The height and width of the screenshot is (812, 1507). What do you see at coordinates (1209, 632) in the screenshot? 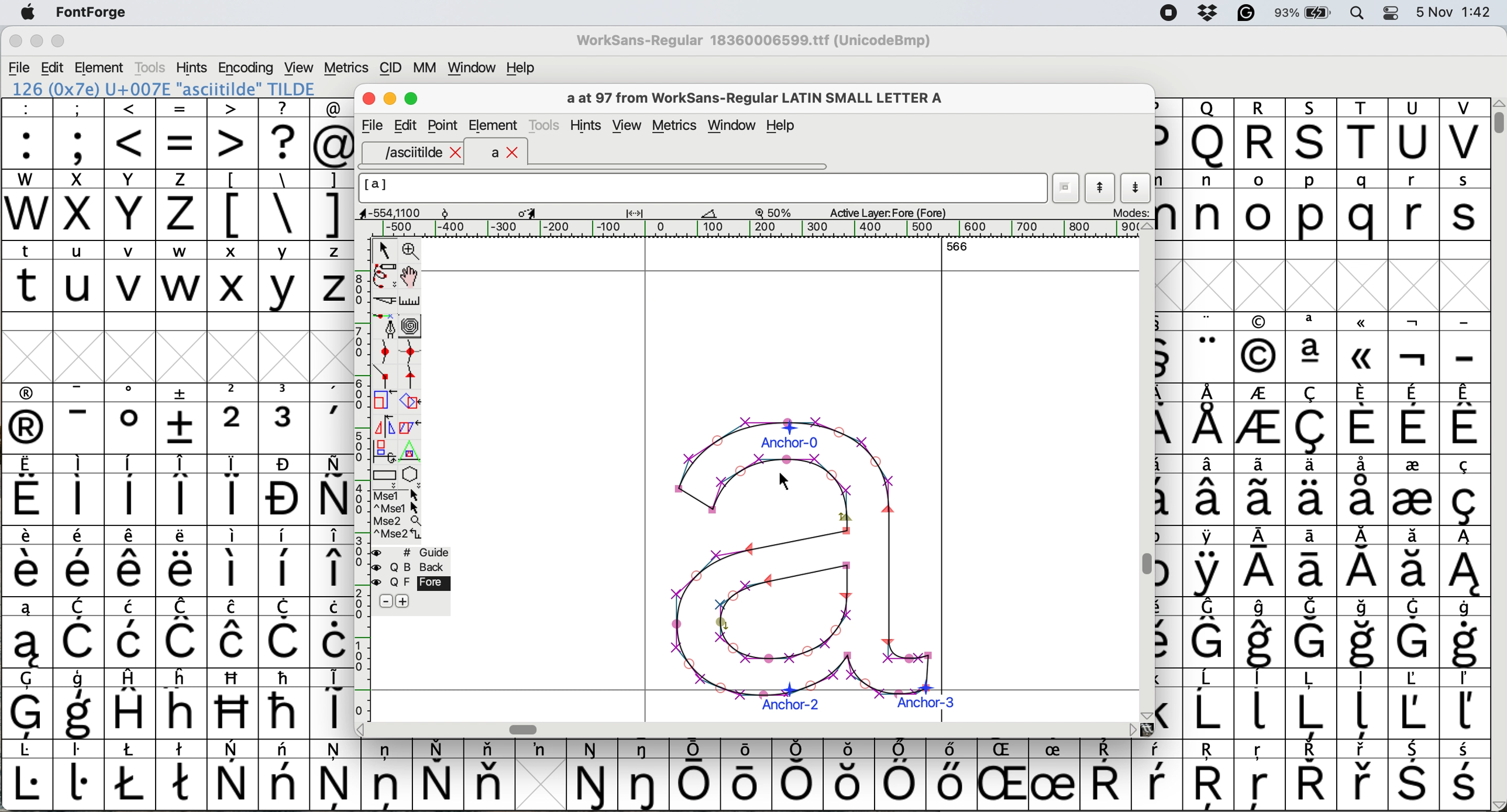
I see `symbol` at bounding box center [1209, 632].